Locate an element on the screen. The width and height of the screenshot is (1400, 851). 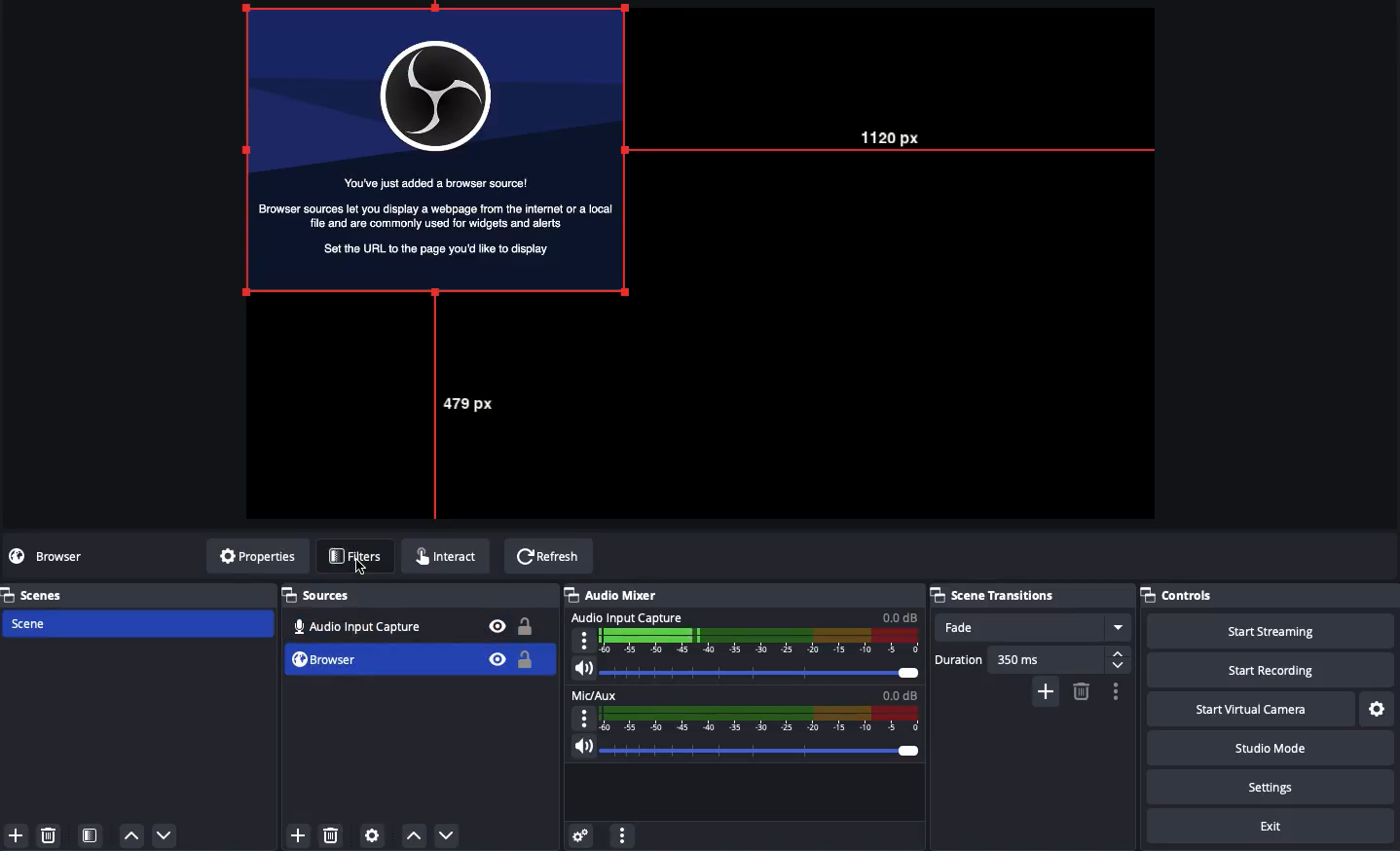
Add is located at coordinates (15, 837).